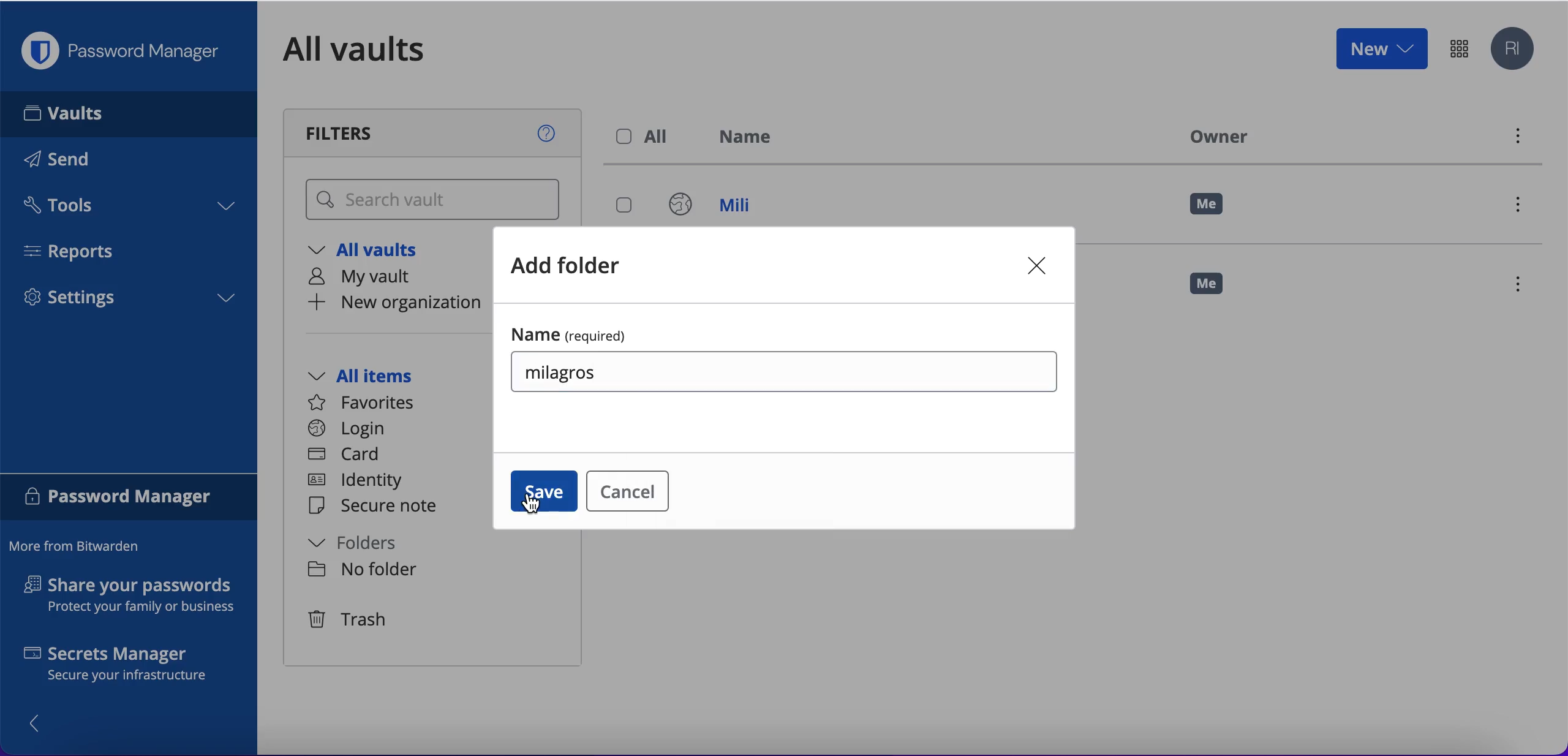  Describe the element at coordinates (379, 377) in the screenshot. I see `all items` at that location.